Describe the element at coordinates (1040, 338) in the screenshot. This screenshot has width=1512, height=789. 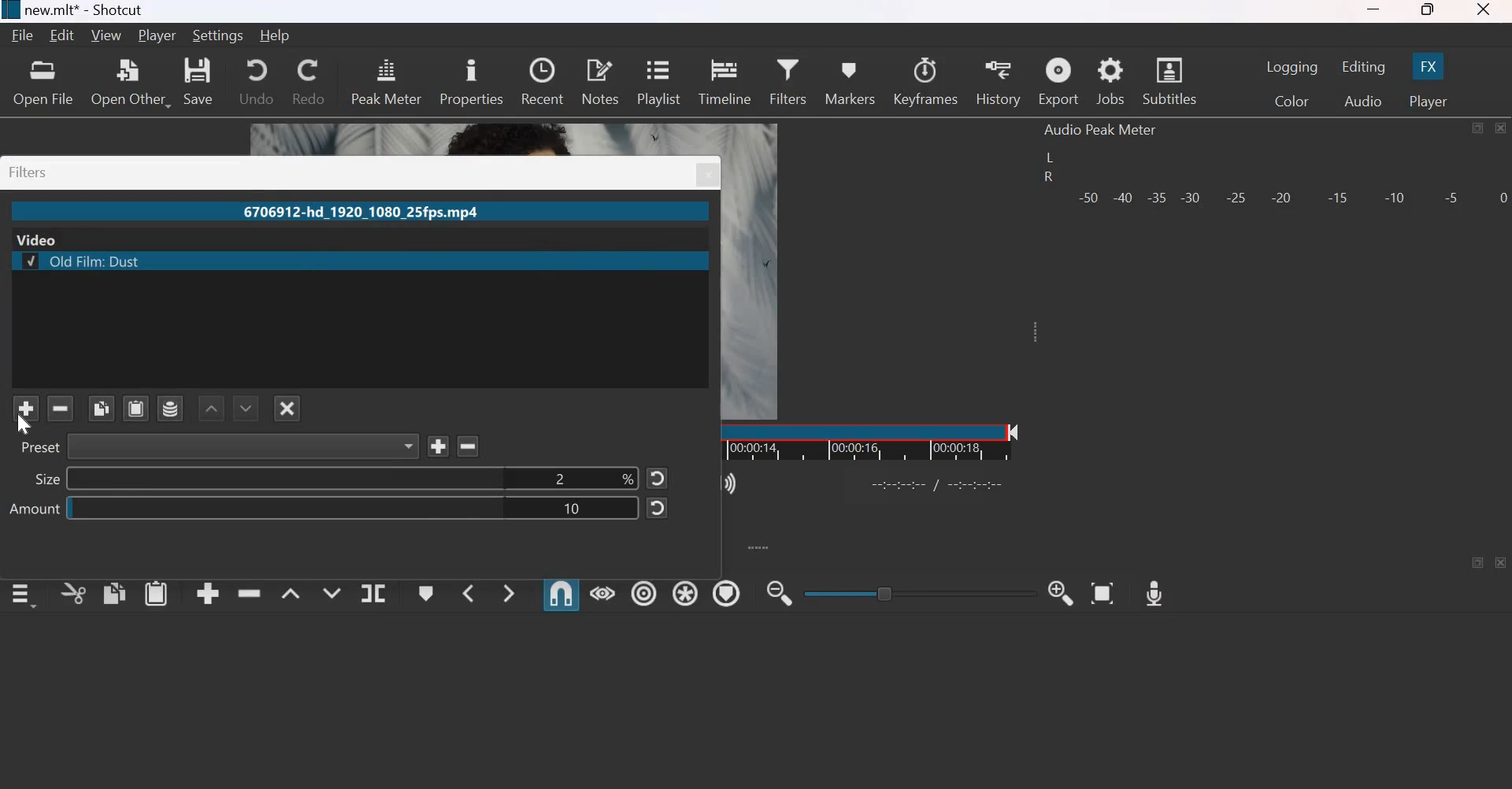
I see `expand` at that location.